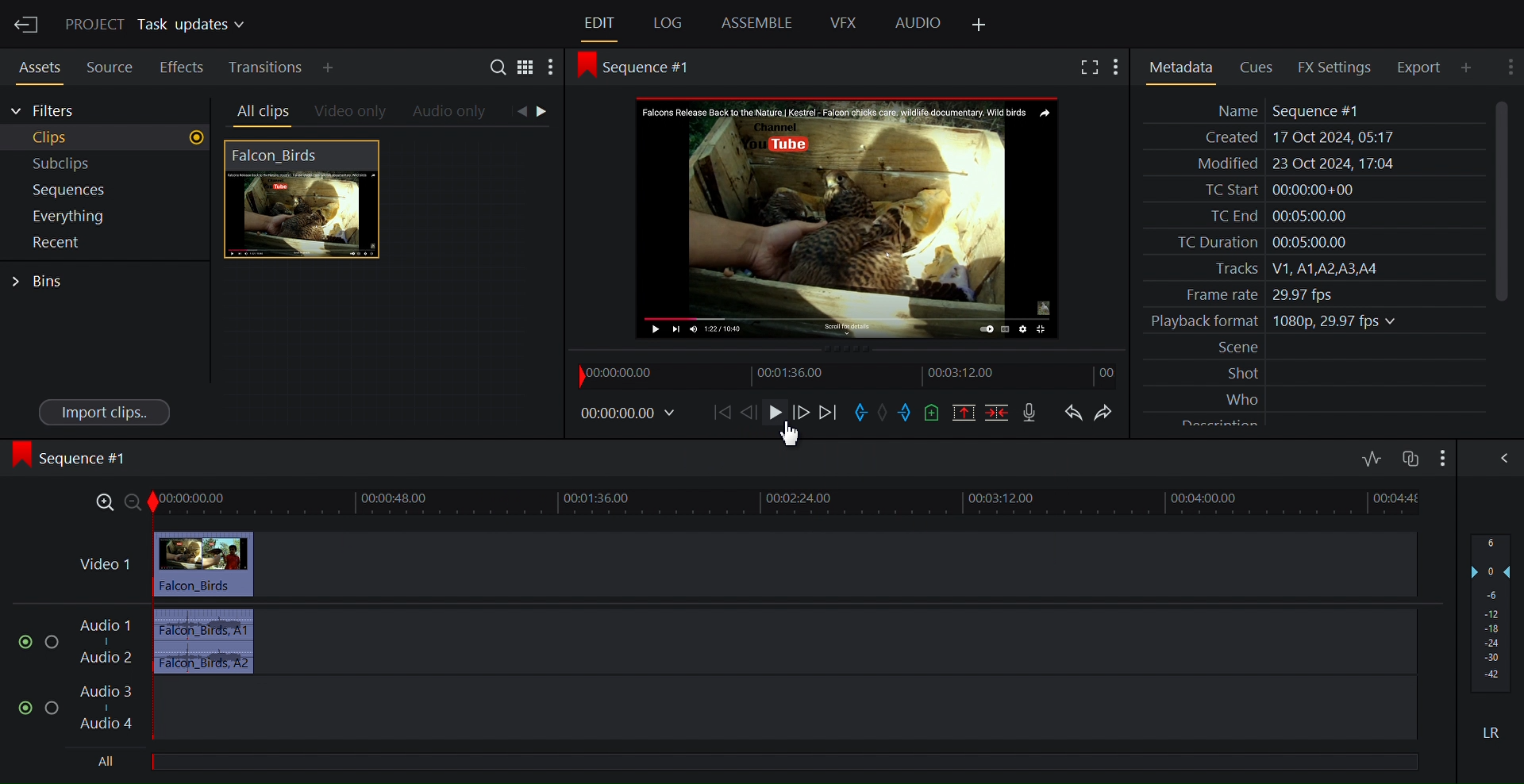 Image resolution: width=1524 pixels, height=784 pixels. What do you see at coordinates (1073, 413) in the screenshot?
I see `Undo ` at bounding box center [1073, 413].